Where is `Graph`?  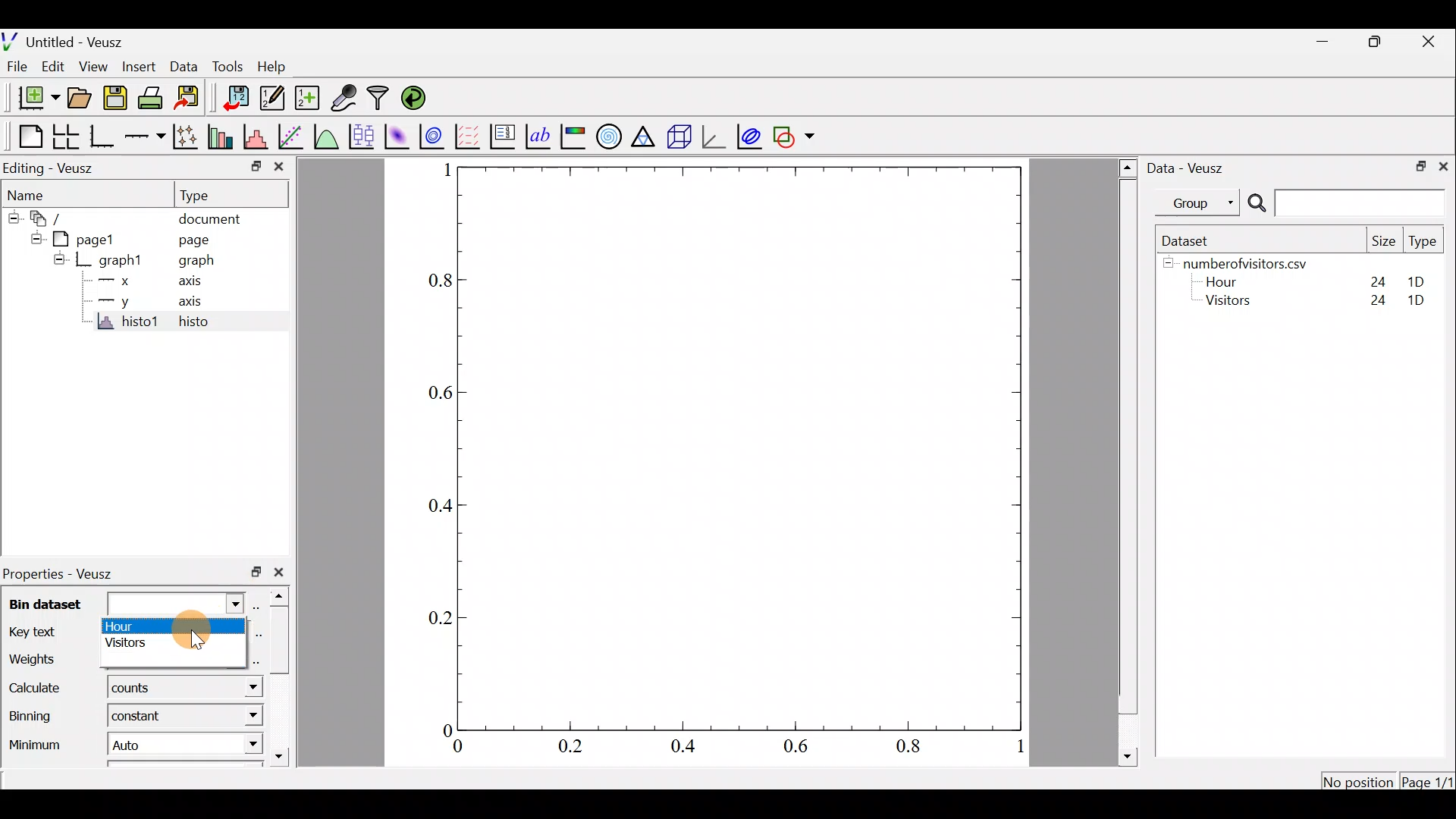 Graph is located at coordinates (738, 448).